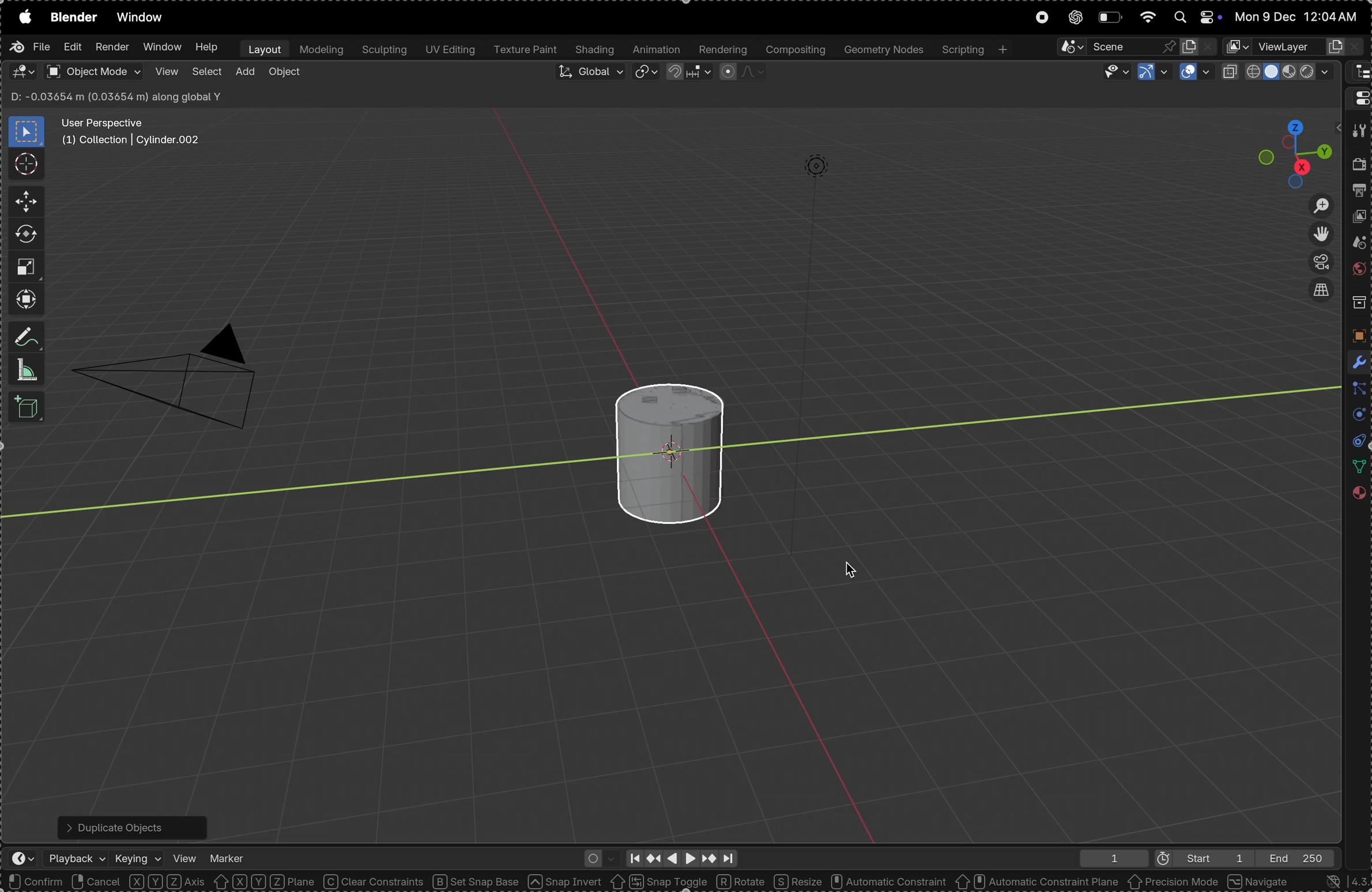 This screenshot has height=892, width=1372. What do you see at coordinates (73, 17) in the screenshot?
I see `Blender` at bounding box center [73, 17].